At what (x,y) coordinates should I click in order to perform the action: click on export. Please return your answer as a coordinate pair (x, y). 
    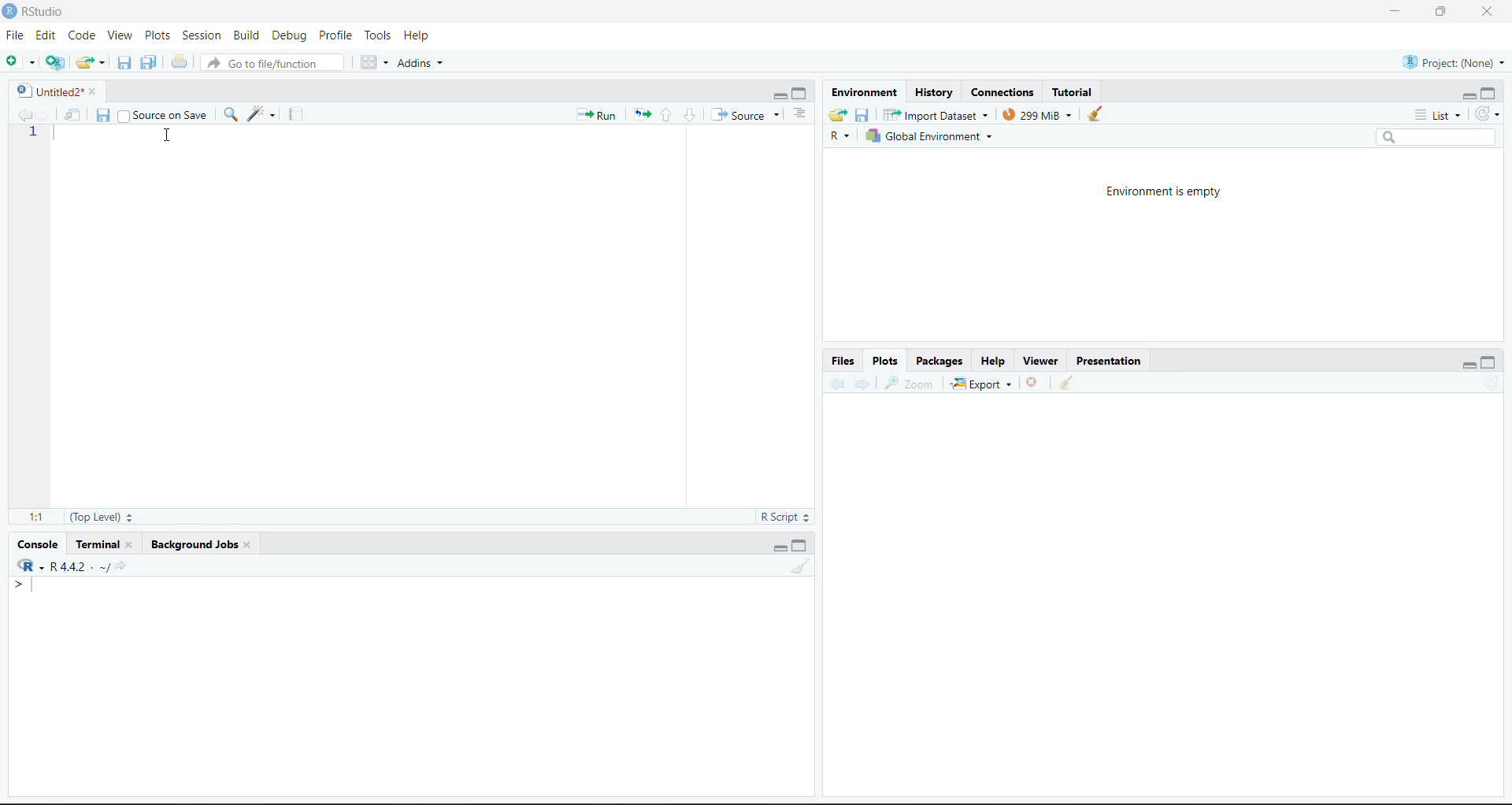
    Looking at the image, I should click on (983, 383).